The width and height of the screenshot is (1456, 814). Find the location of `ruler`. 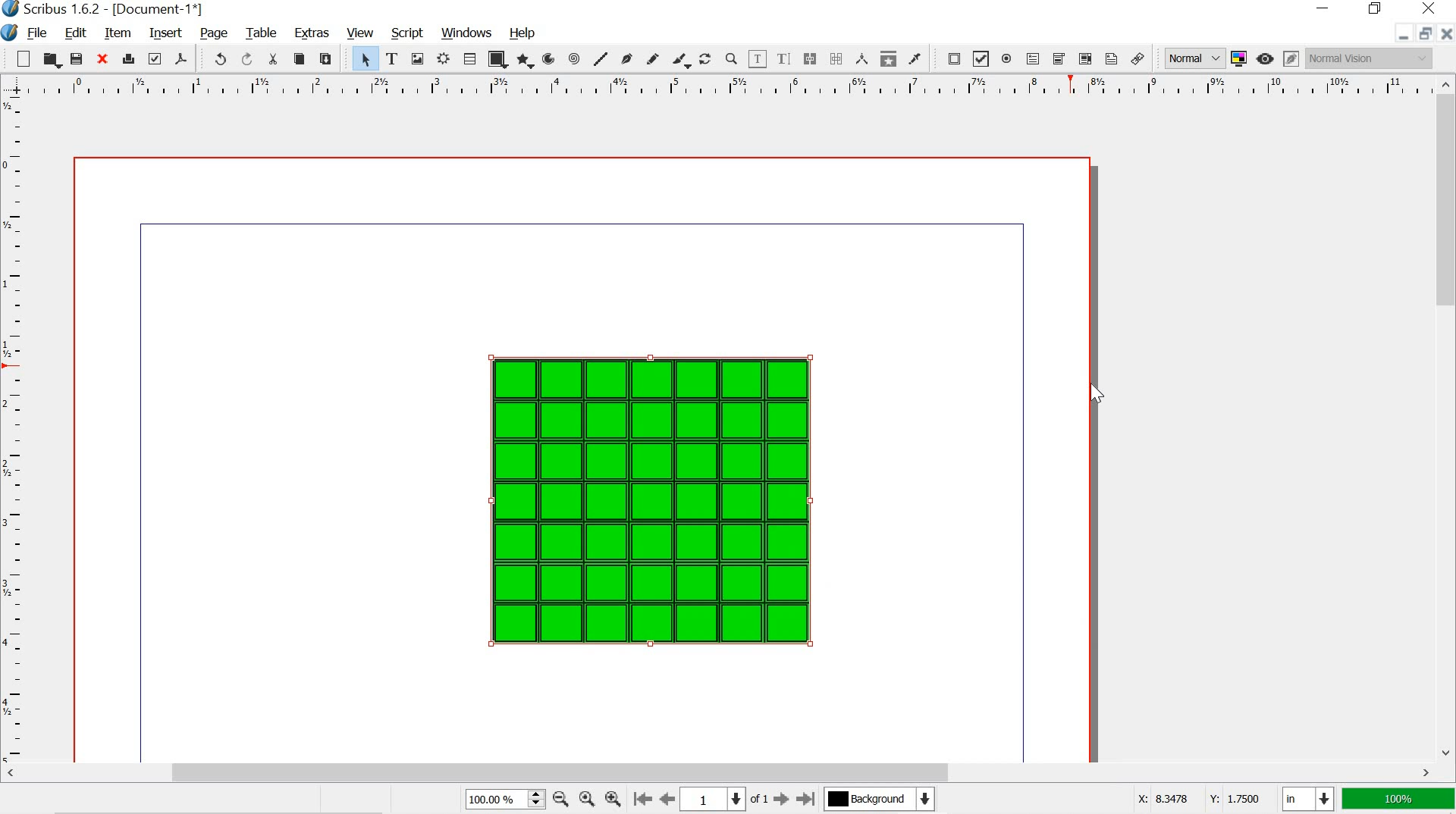

ruler is located at coordinates (14, 429).